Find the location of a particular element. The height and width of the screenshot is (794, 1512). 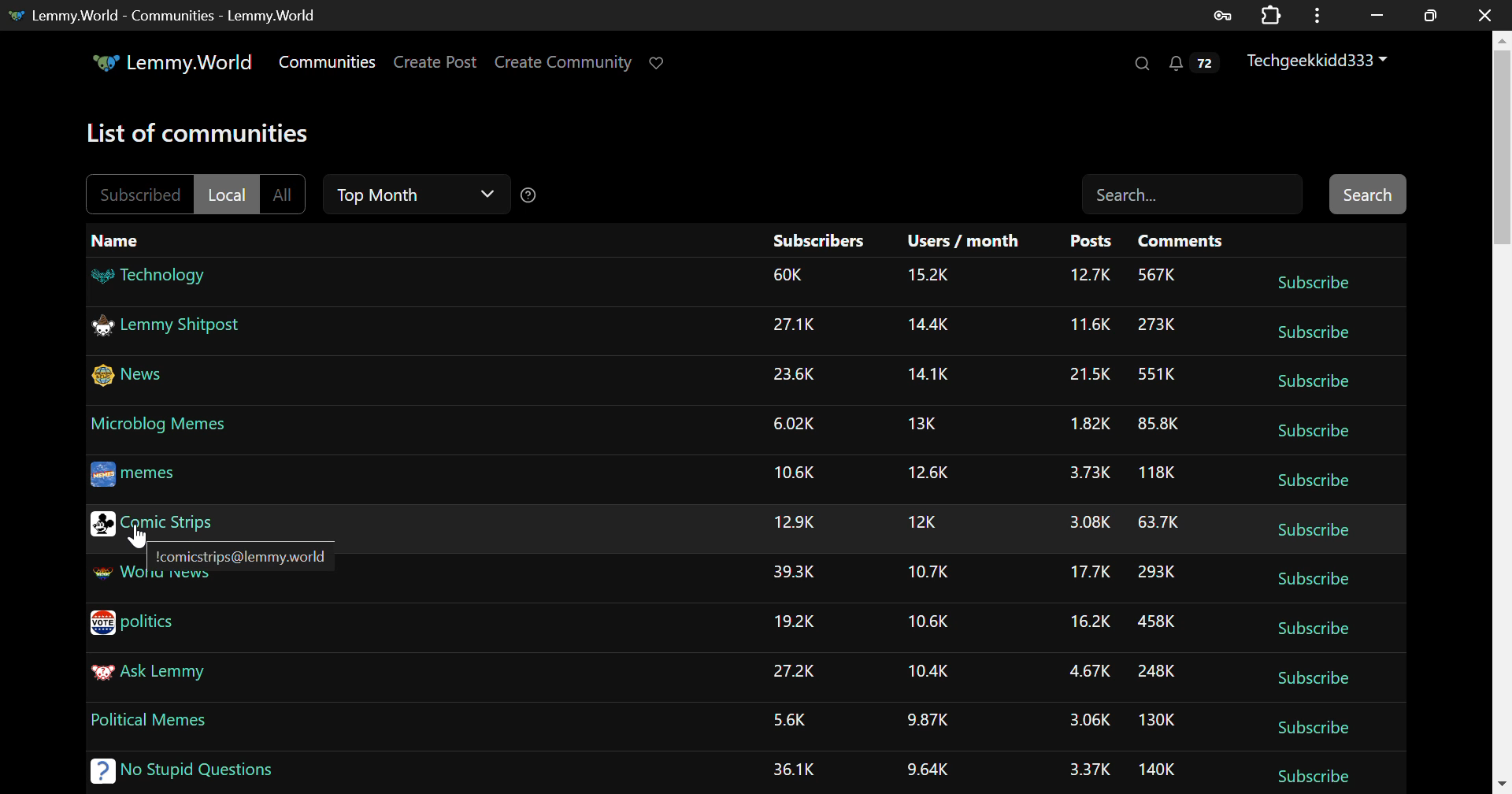

Amount is located at coordinates (932, 473).